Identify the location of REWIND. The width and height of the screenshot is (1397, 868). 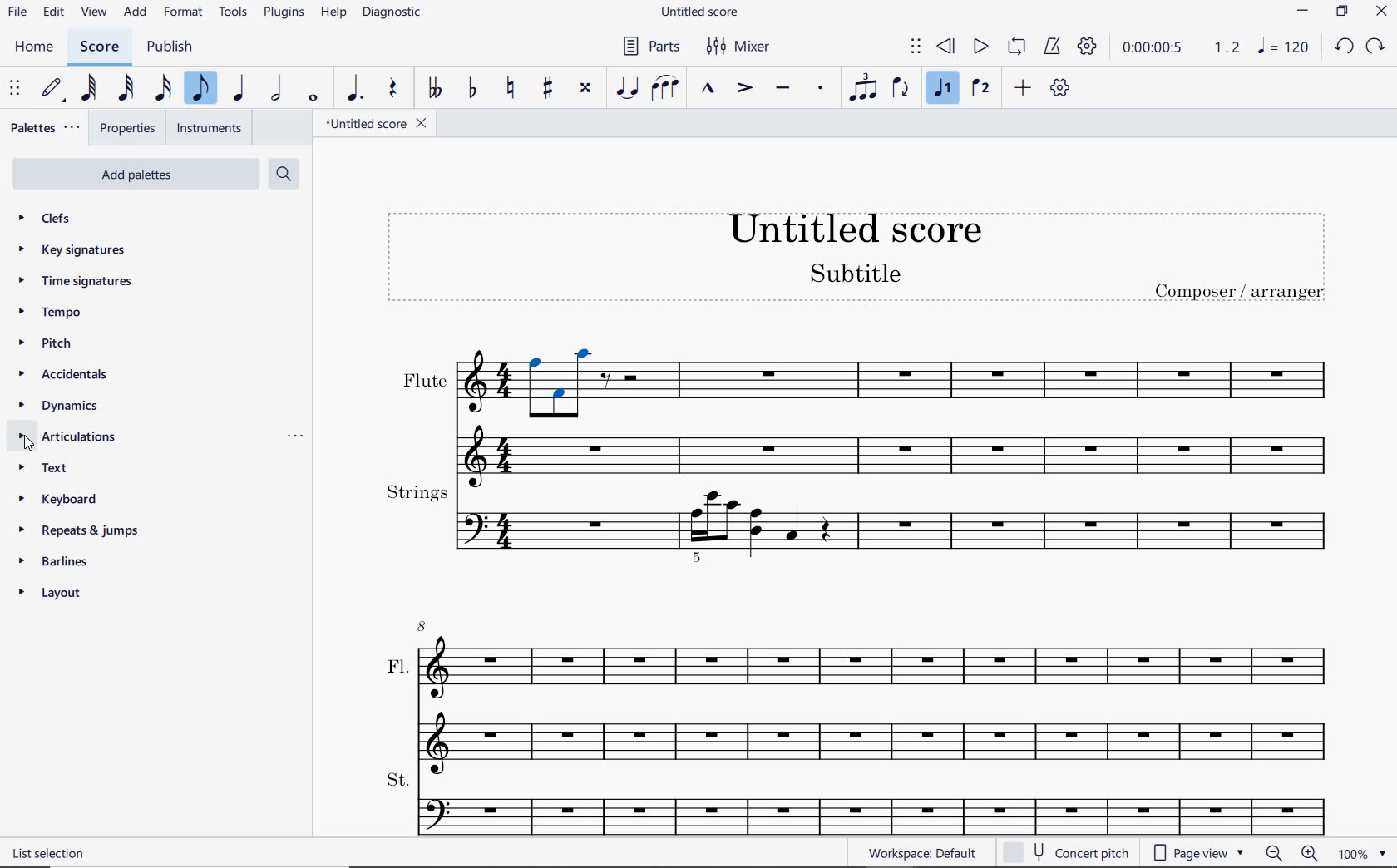
(943, 47).